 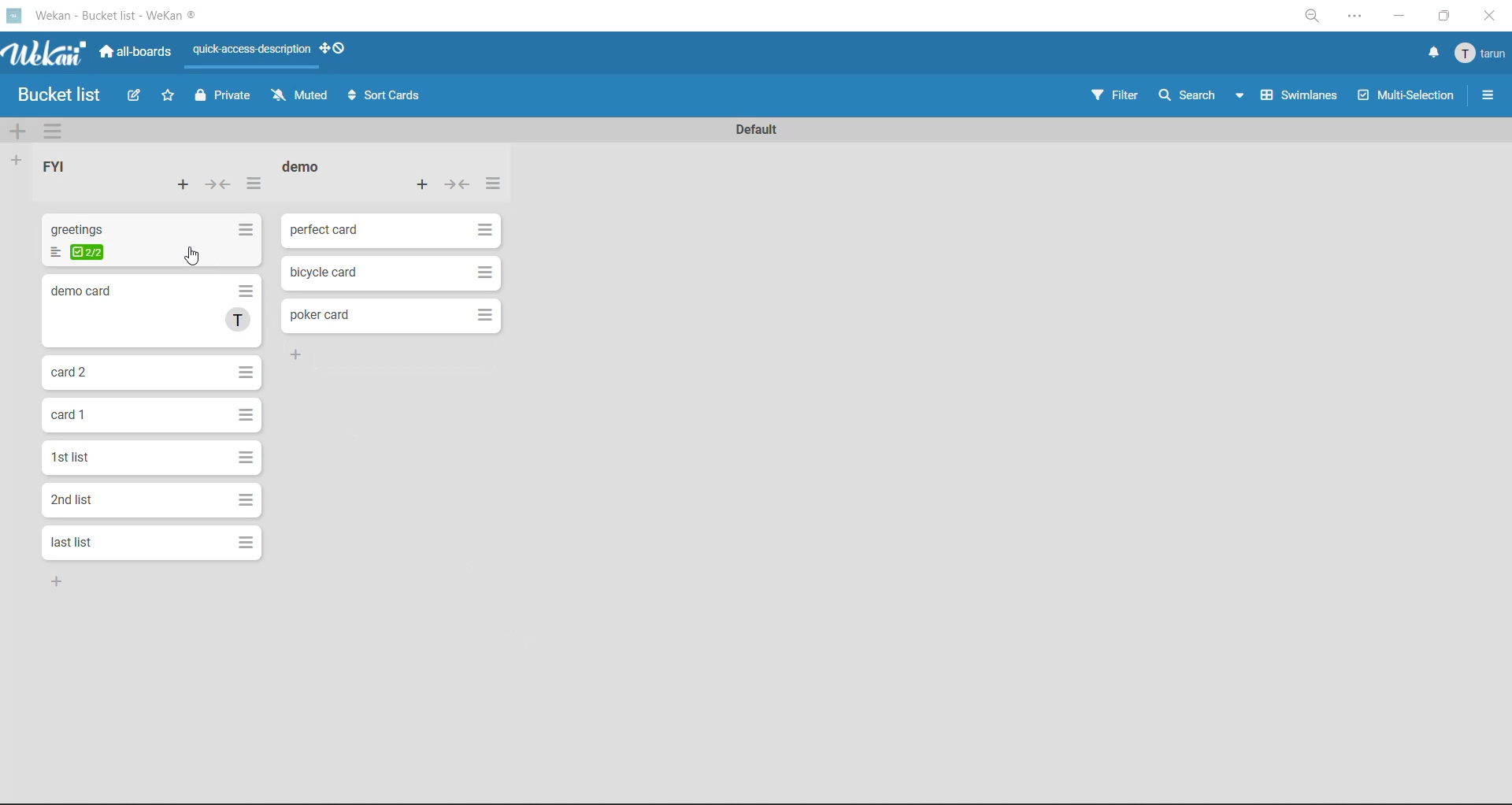 I want to click on cards, so click(x=152, y=461).